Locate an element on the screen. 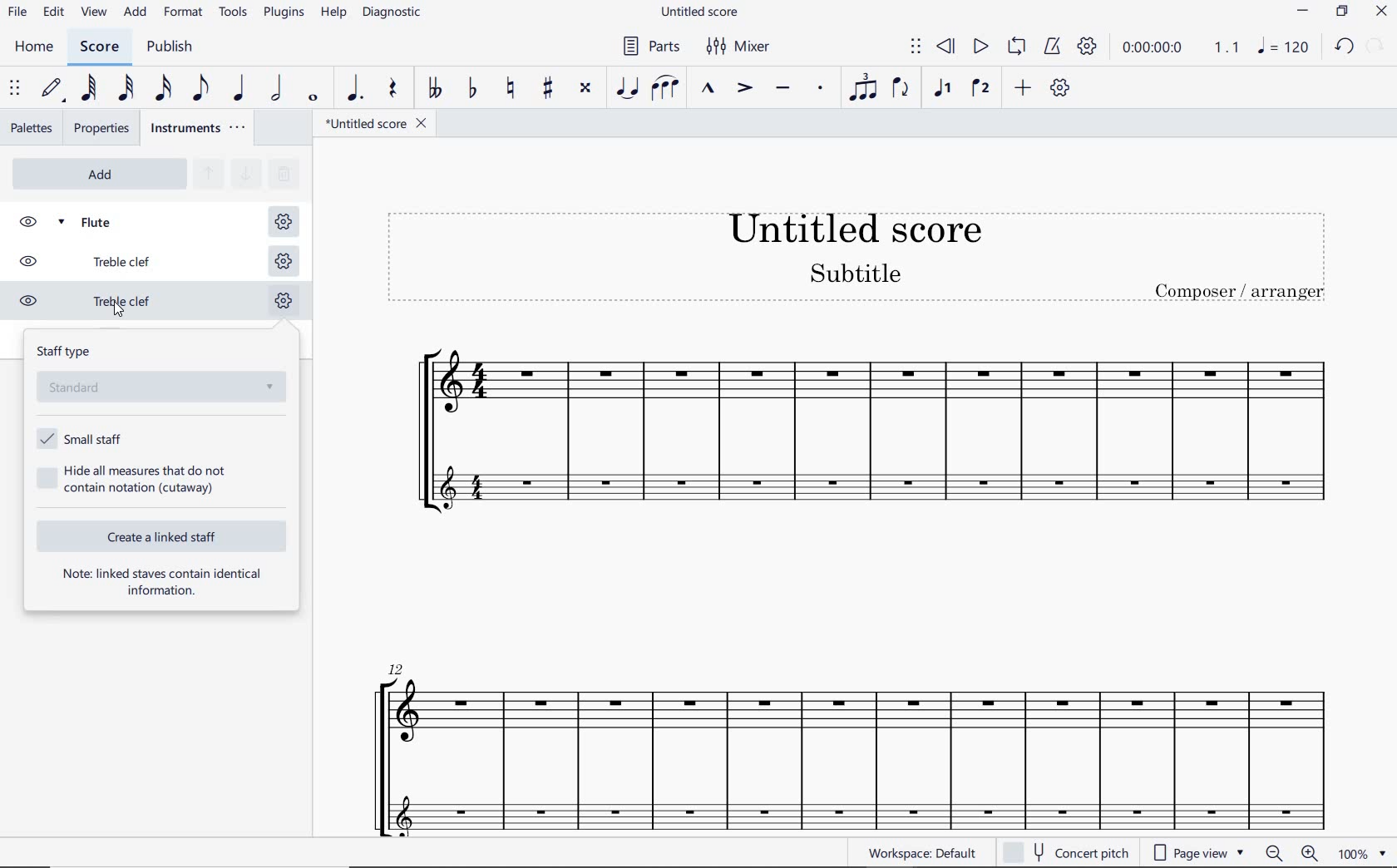 The width and height of the screenshot is (1397, 868). undo is located at coordinates (1345, 47).